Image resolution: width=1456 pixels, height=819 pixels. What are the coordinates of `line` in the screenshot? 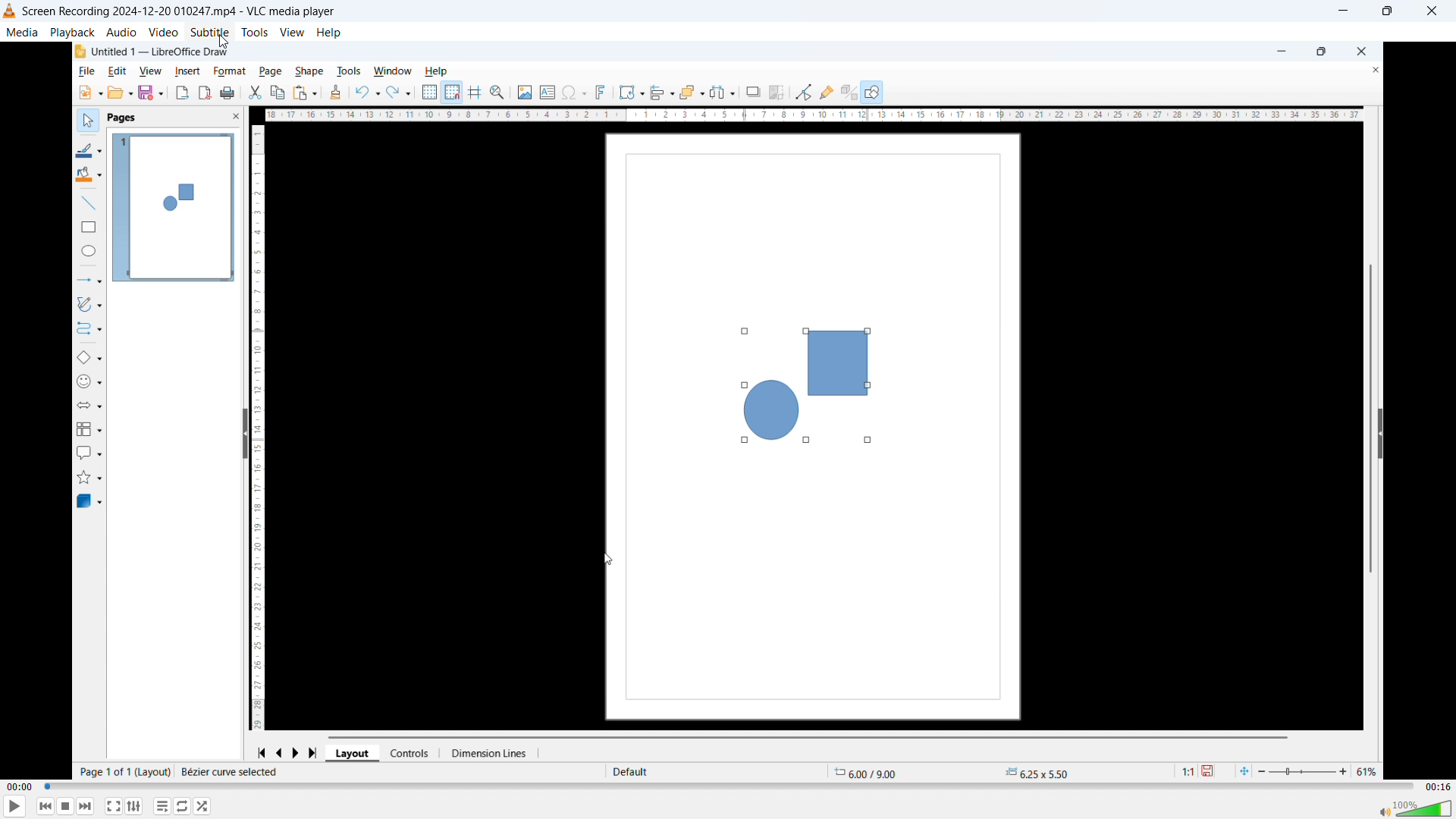 It's located at (86, 203).